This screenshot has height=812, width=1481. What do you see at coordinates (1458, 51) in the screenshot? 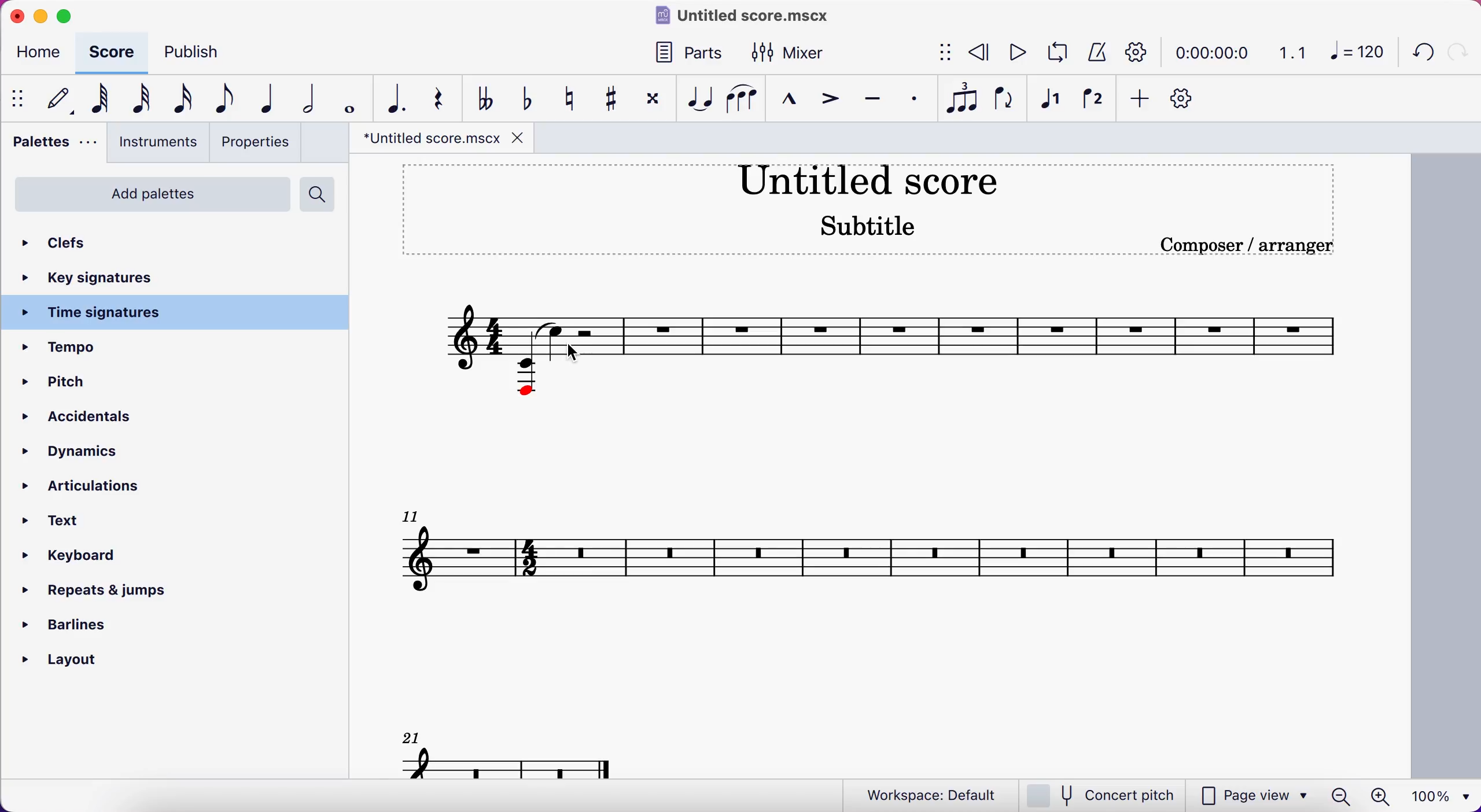
I see `redo` at bounding box center [1458, 51].